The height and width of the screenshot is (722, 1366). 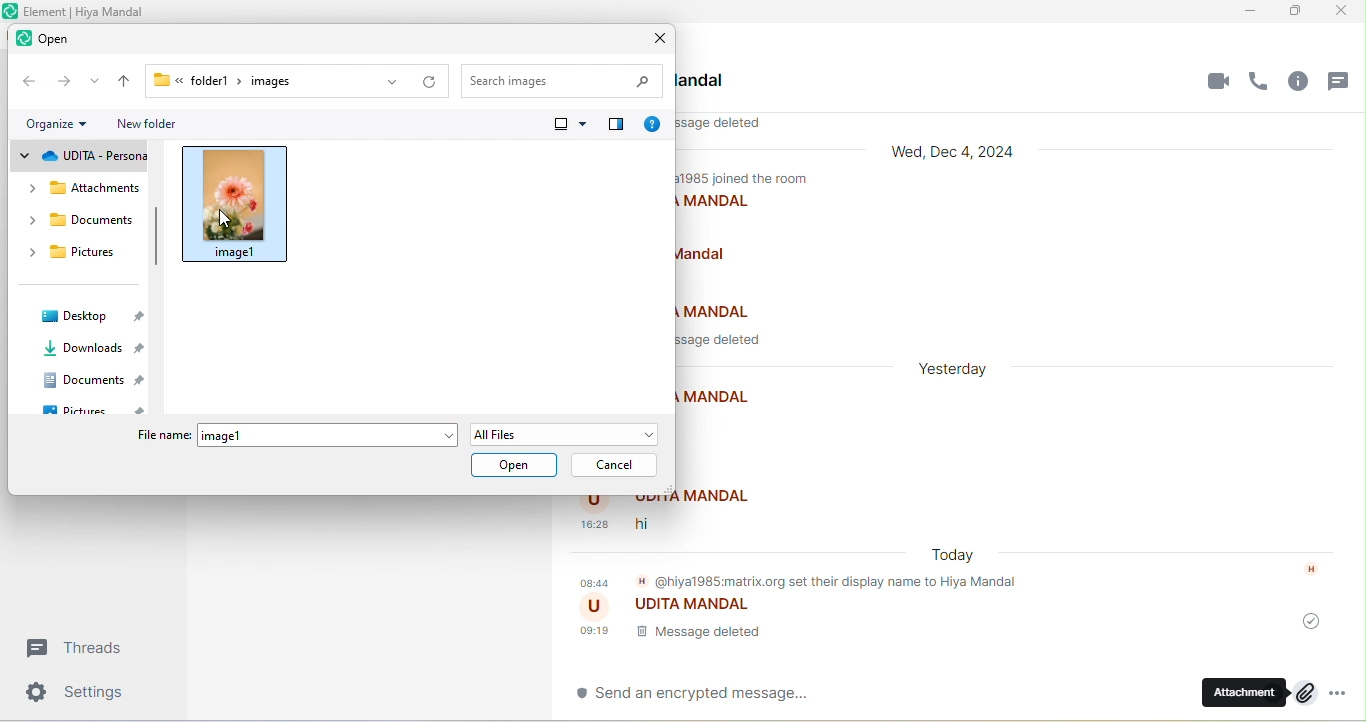 What do you see at coordinates (93, 10) in the screenshot?
I see `title` at bounding box center [93, 10].